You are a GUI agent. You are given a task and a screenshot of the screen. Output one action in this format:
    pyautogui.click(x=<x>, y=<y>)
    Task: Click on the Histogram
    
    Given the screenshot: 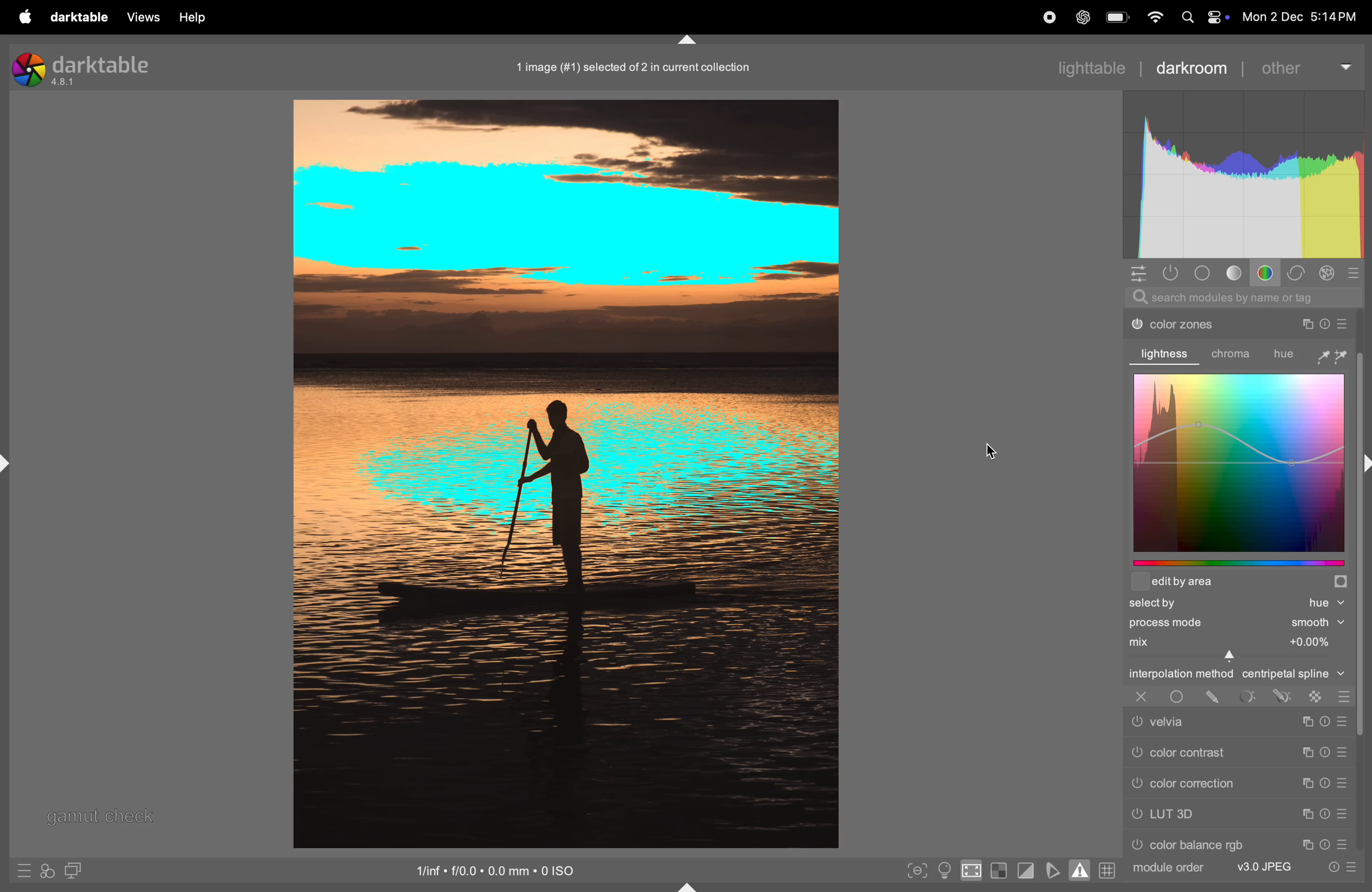 What is the action you would take?
    pyautogui.click(x=1247, y=173)
    